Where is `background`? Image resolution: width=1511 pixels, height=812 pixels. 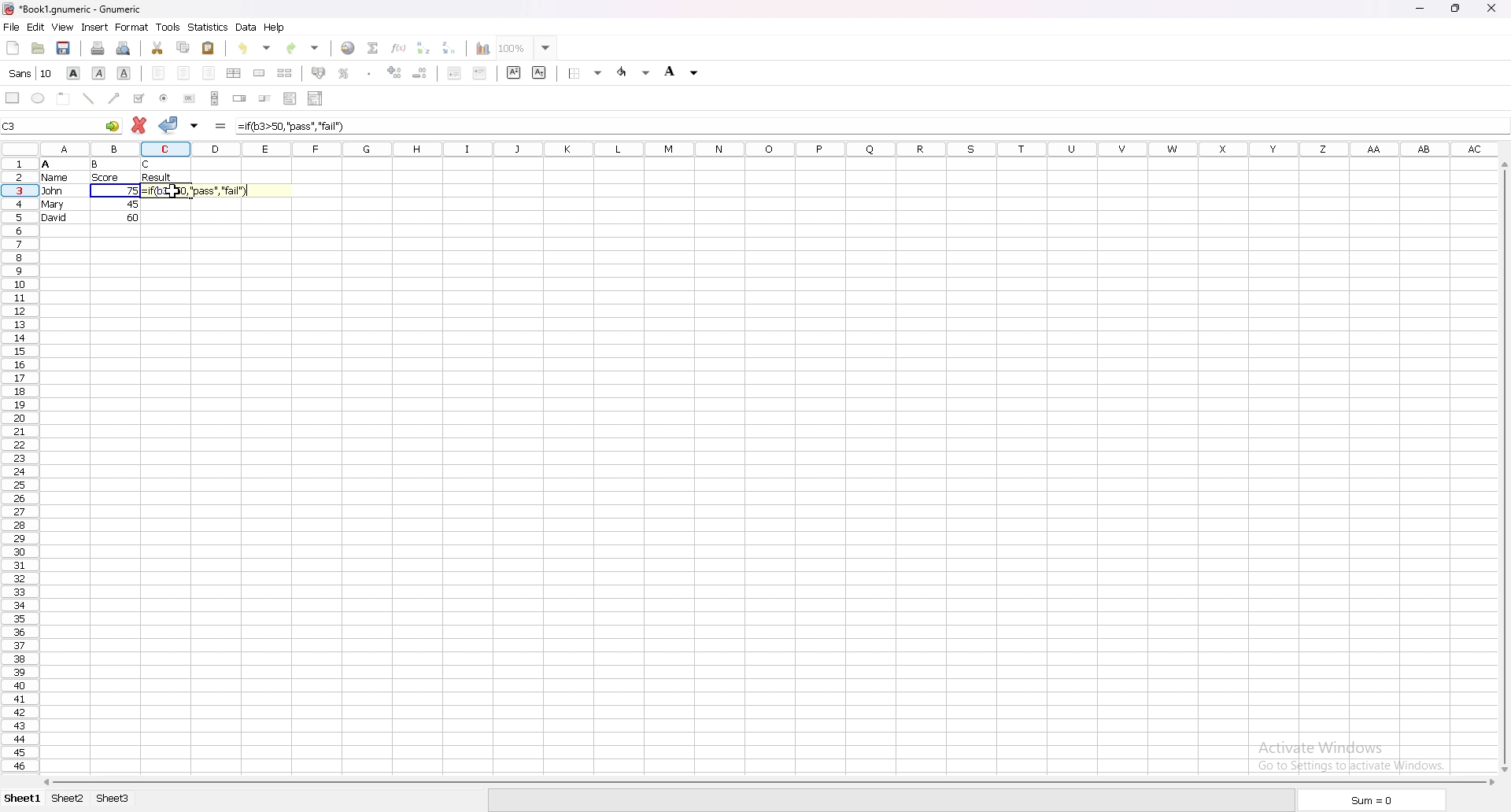 background is located at coordinates (685, 72).